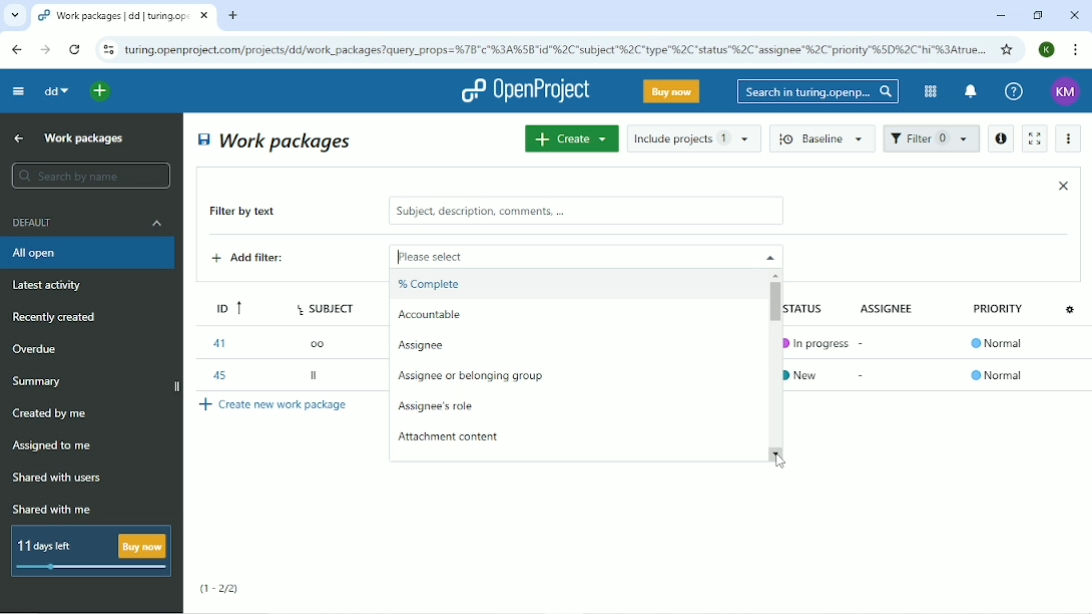  I want to click on oo, so click(323, 342).